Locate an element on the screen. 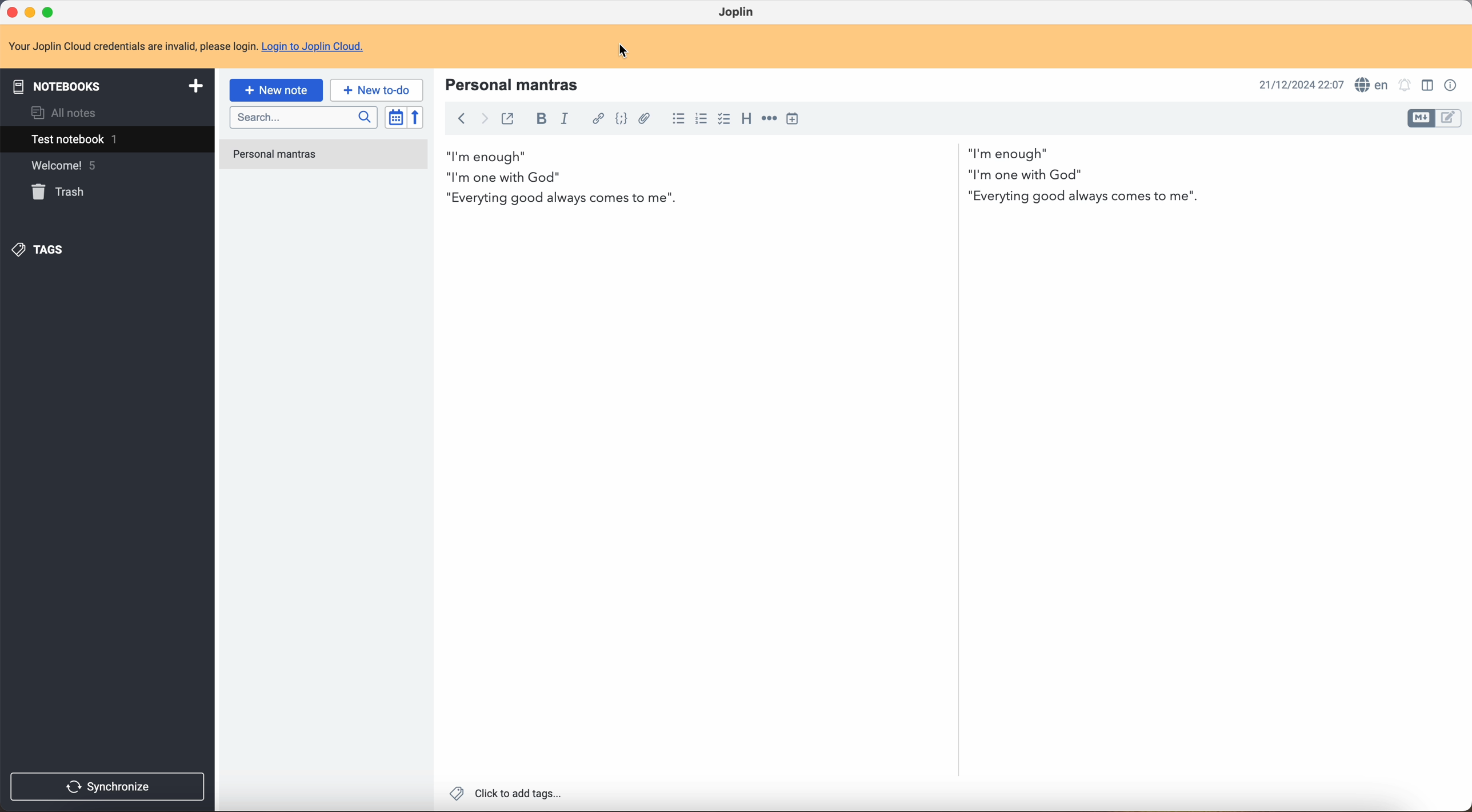 This screenshot has height=812, width=1472. italic is located at coordinates (567, 118).